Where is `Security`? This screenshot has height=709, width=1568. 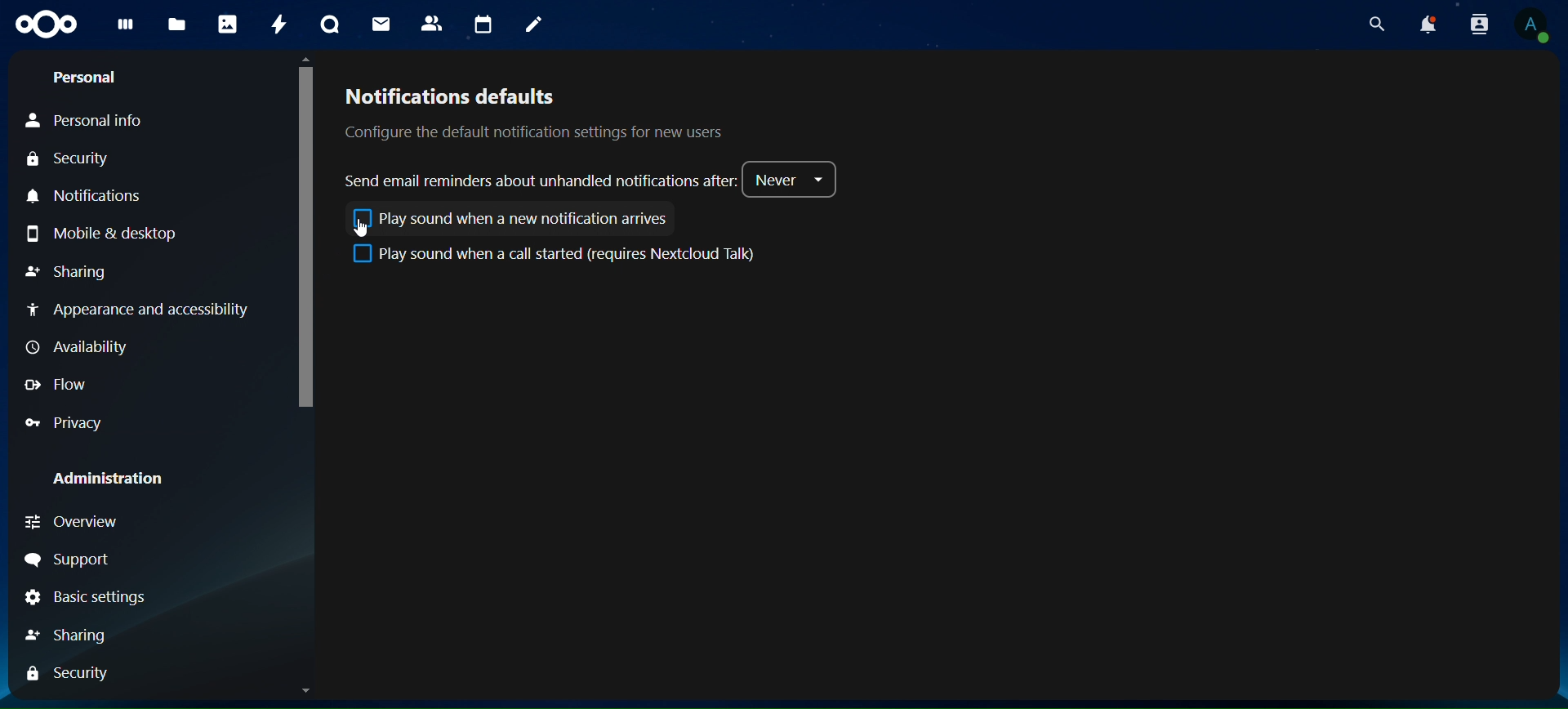 Security is located at coordinates (73, 674).